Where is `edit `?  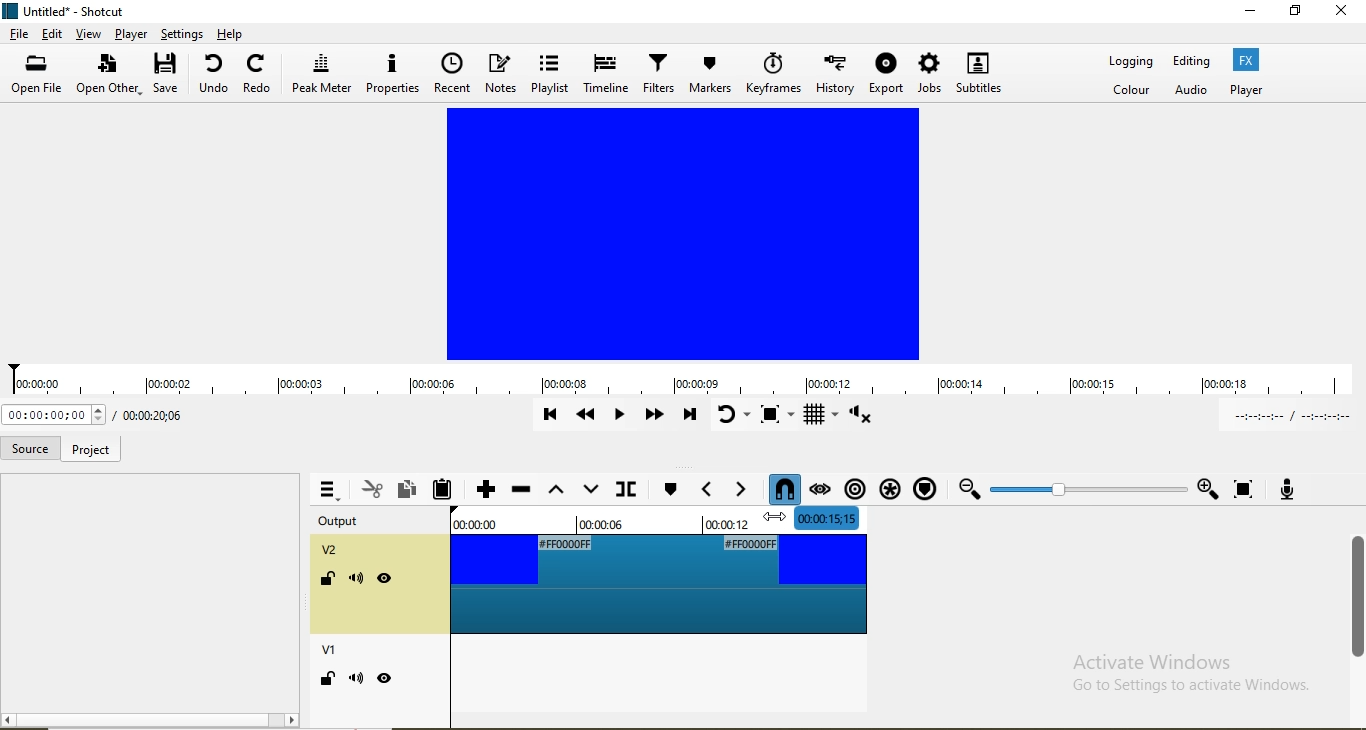 edit  is located at coordinates (53, 34).